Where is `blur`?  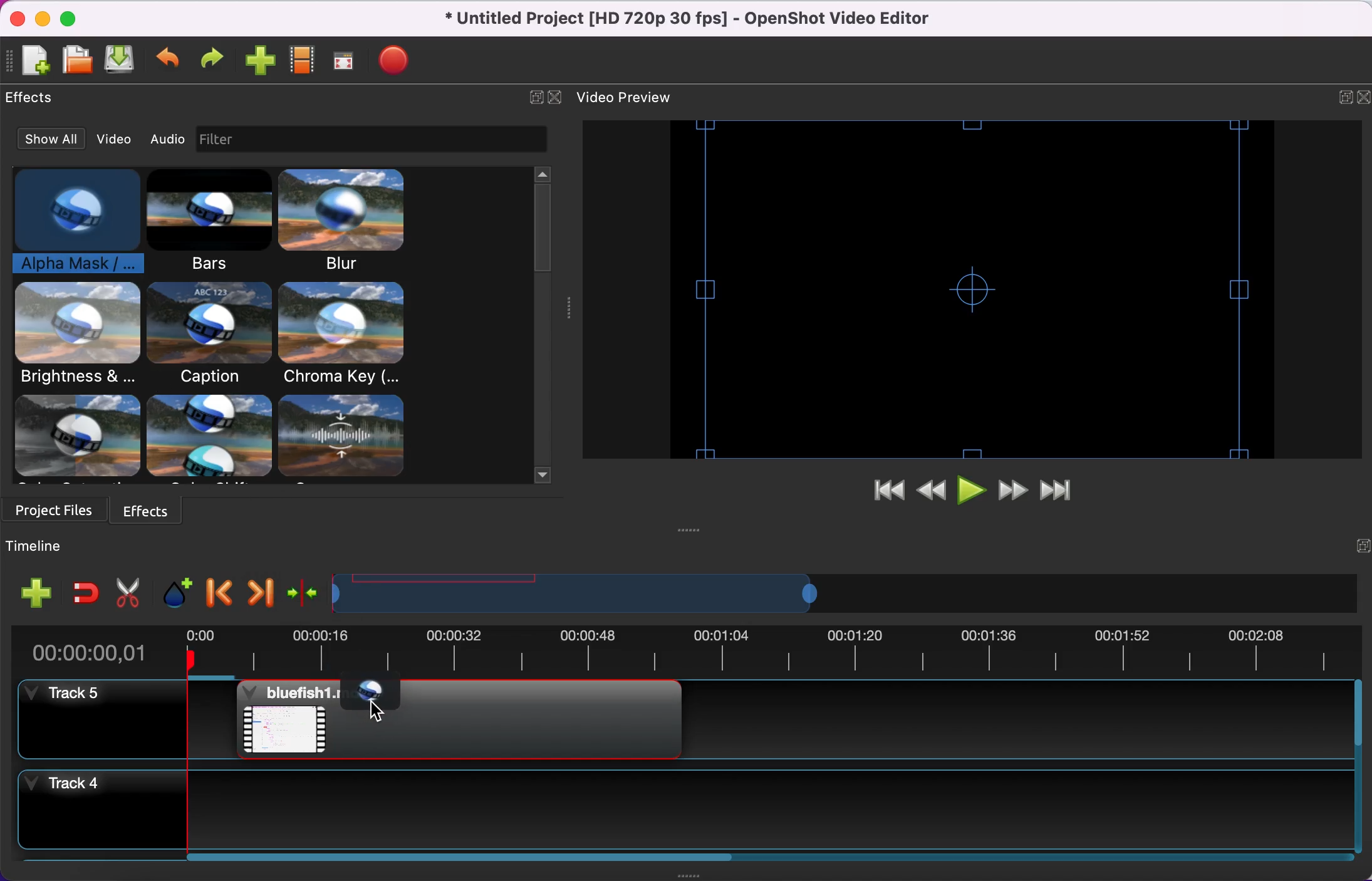 blur is located at coordinates (347, 221).